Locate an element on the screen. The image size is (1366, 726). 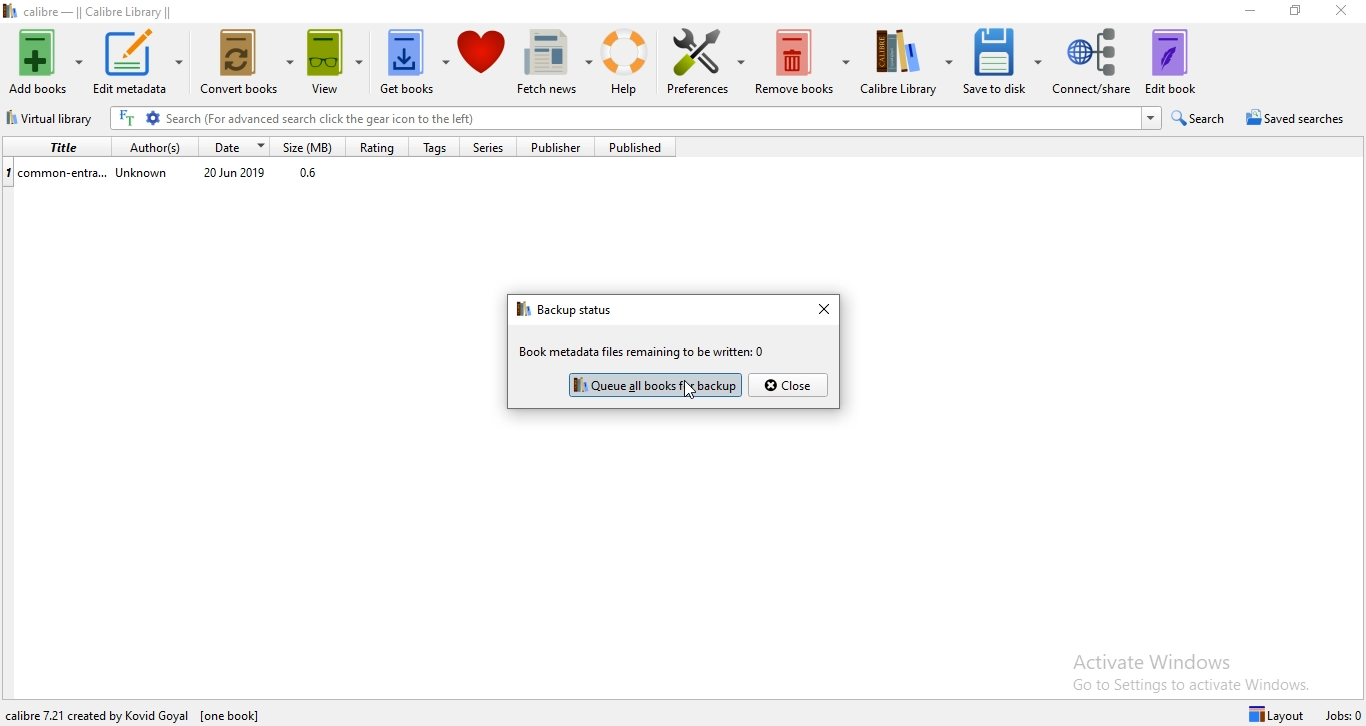
Save to disk is located at coordinates (1006, 64).